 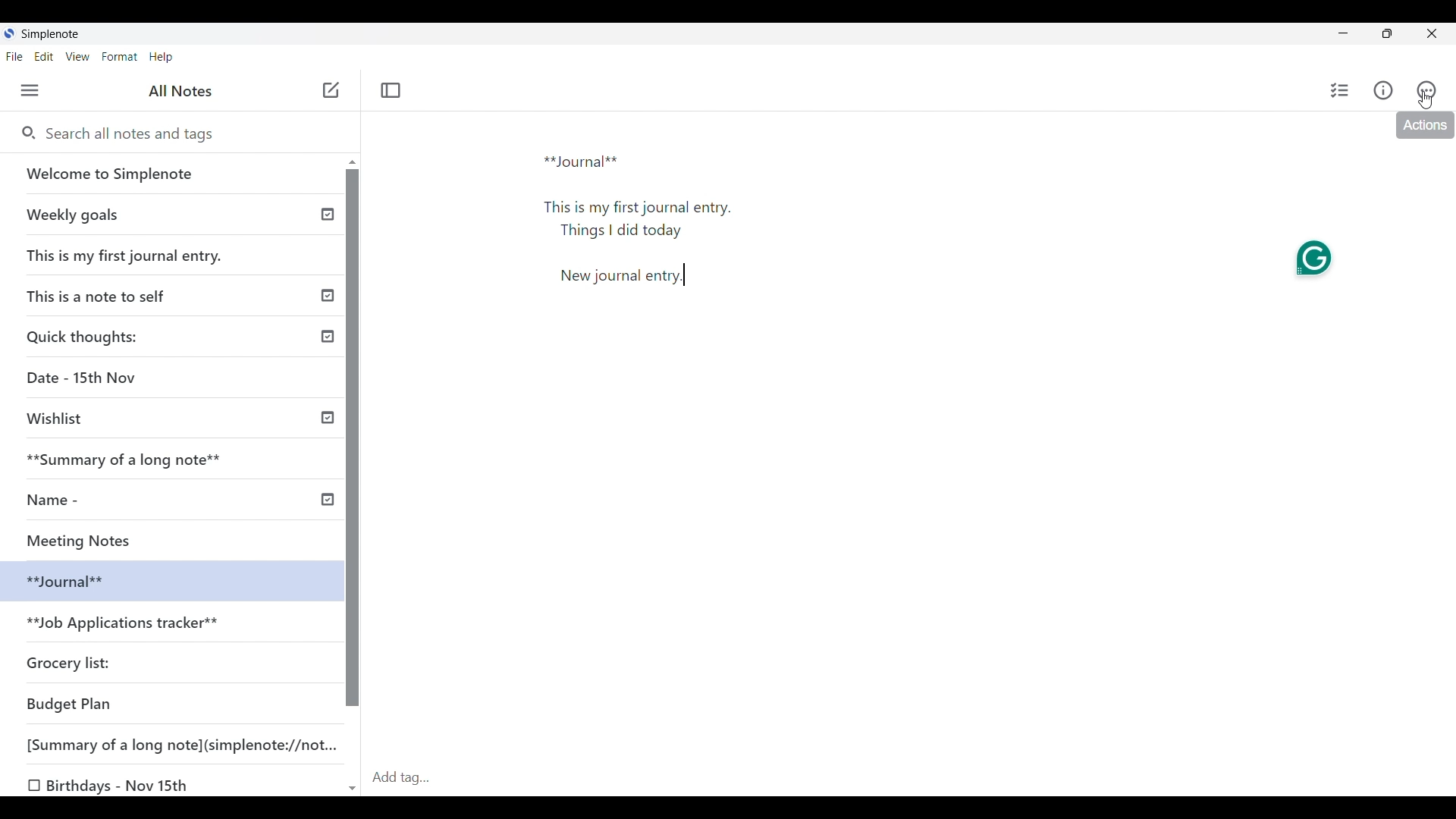 I want to click on File menu, so click(x=15, y=57).